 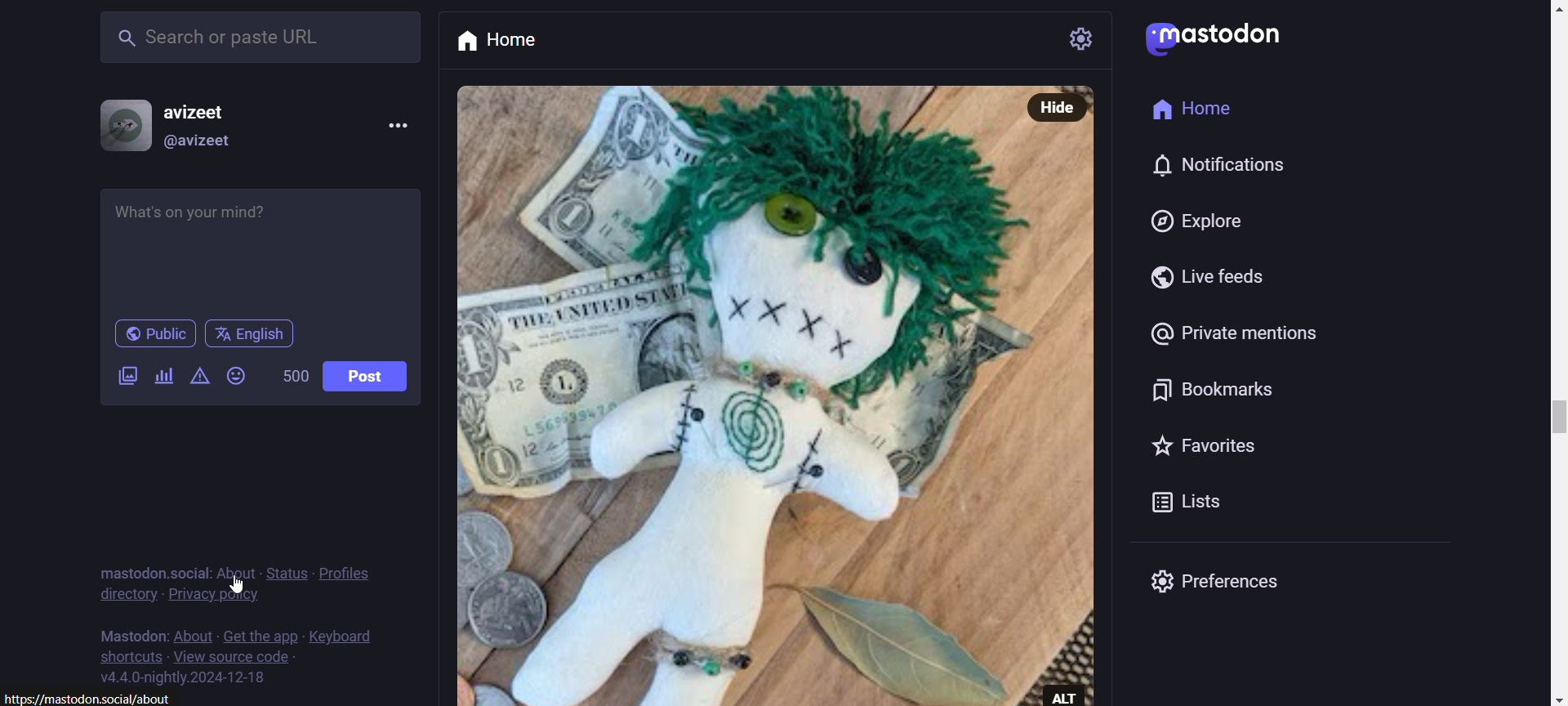 I want to click on add a image, so click(x=129, y=380).